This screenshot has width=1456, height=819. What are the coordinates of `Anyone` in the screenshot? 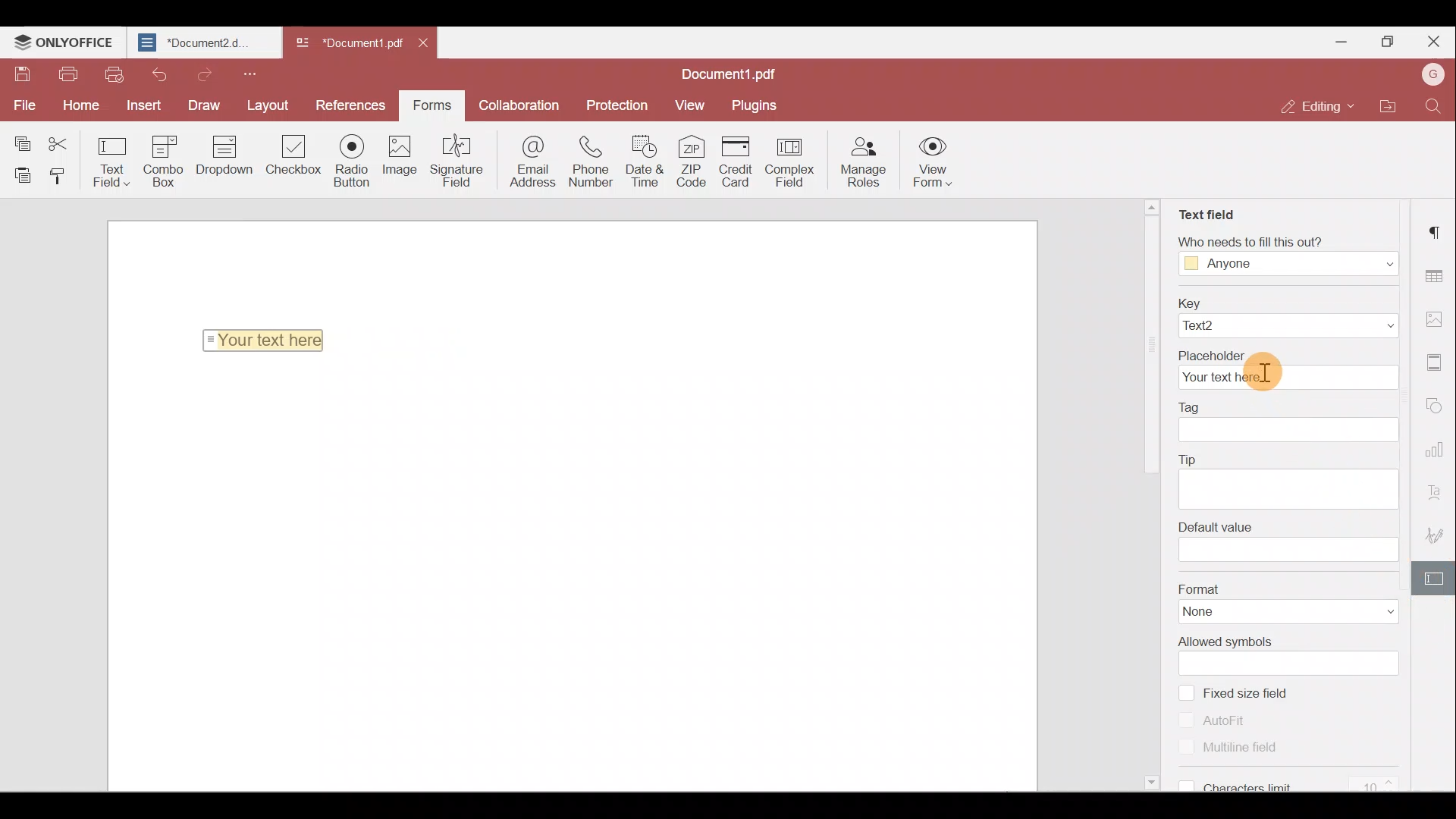 It's located at (1230, 265).